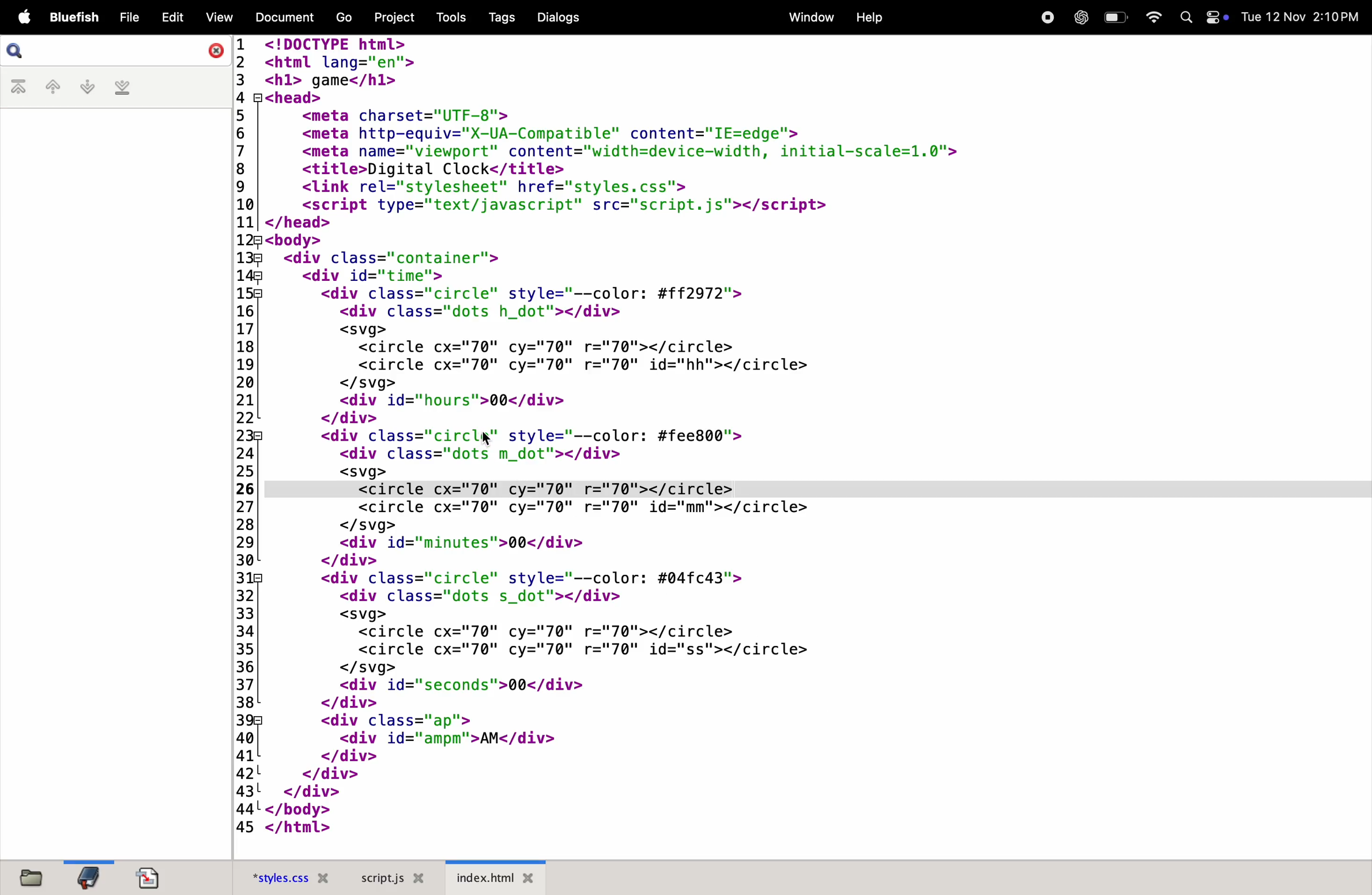 This screenshot has width=1372, height=895. I want to click on tags, so click(500, 16).